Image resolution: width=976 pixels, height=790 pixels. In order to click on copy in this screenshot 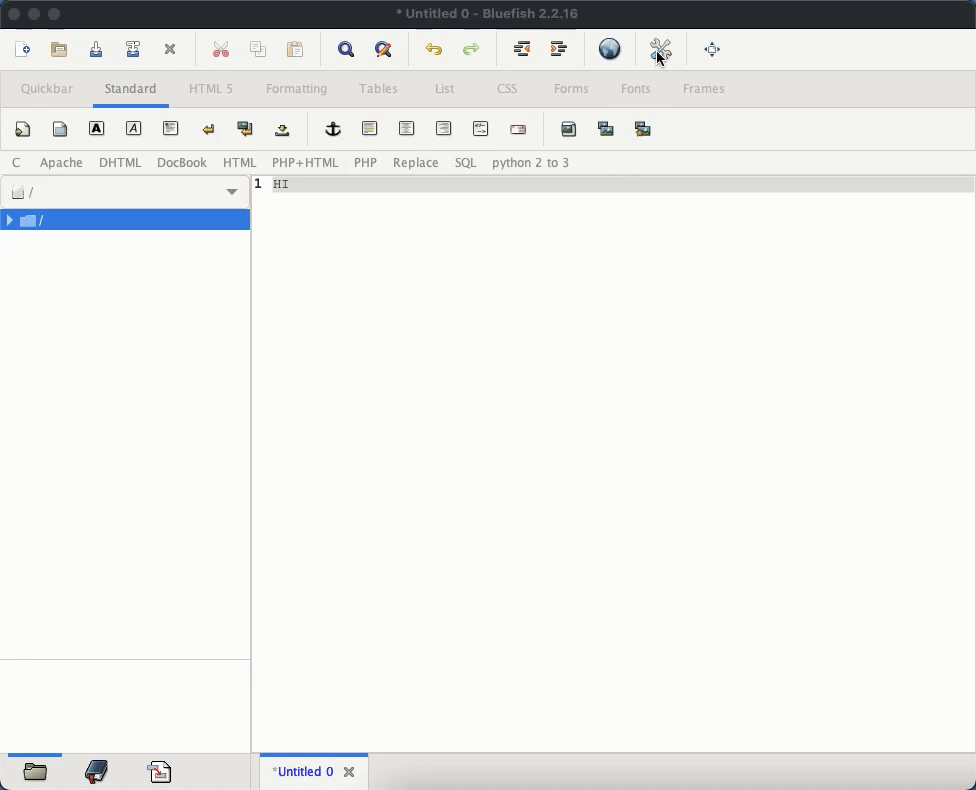, I will do `click(259, 50)`.